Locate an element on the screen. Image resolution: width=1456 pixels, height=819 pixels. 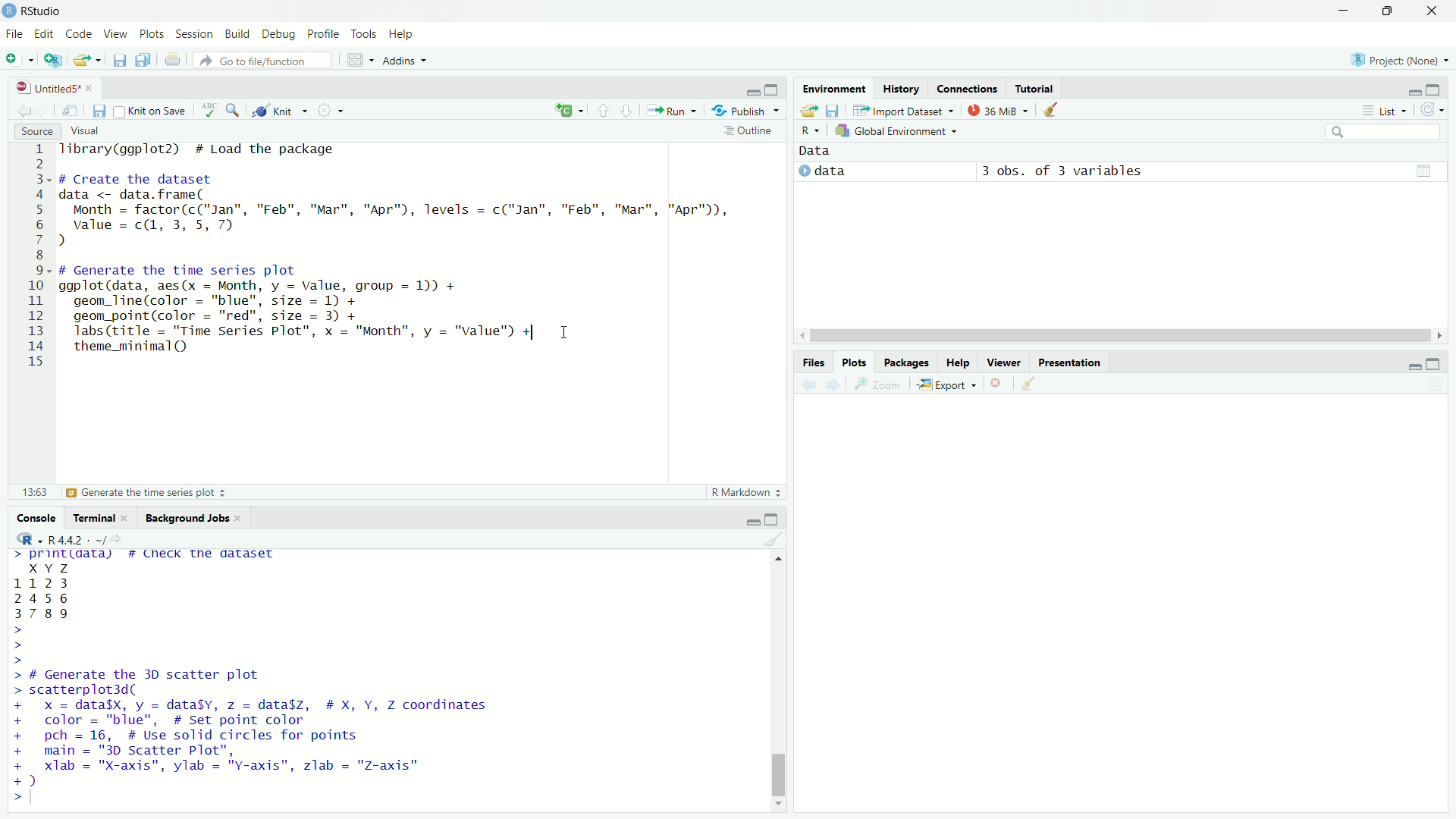
prompt cursor is located at coordinates (14, 645).